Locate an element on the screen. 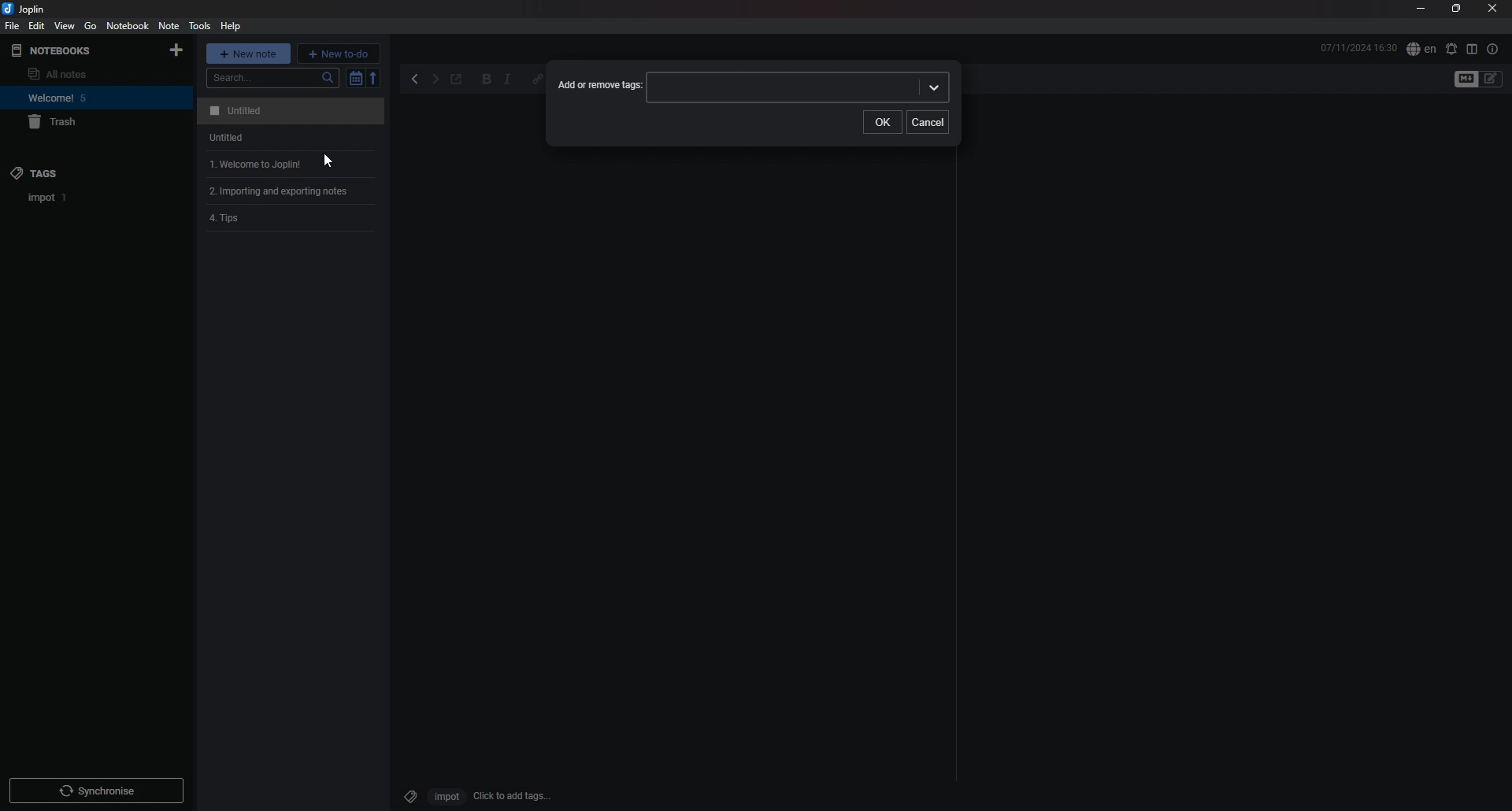 The height and width of the screenshot is (811, 1512). notebook is located at coordinates (80, 98).